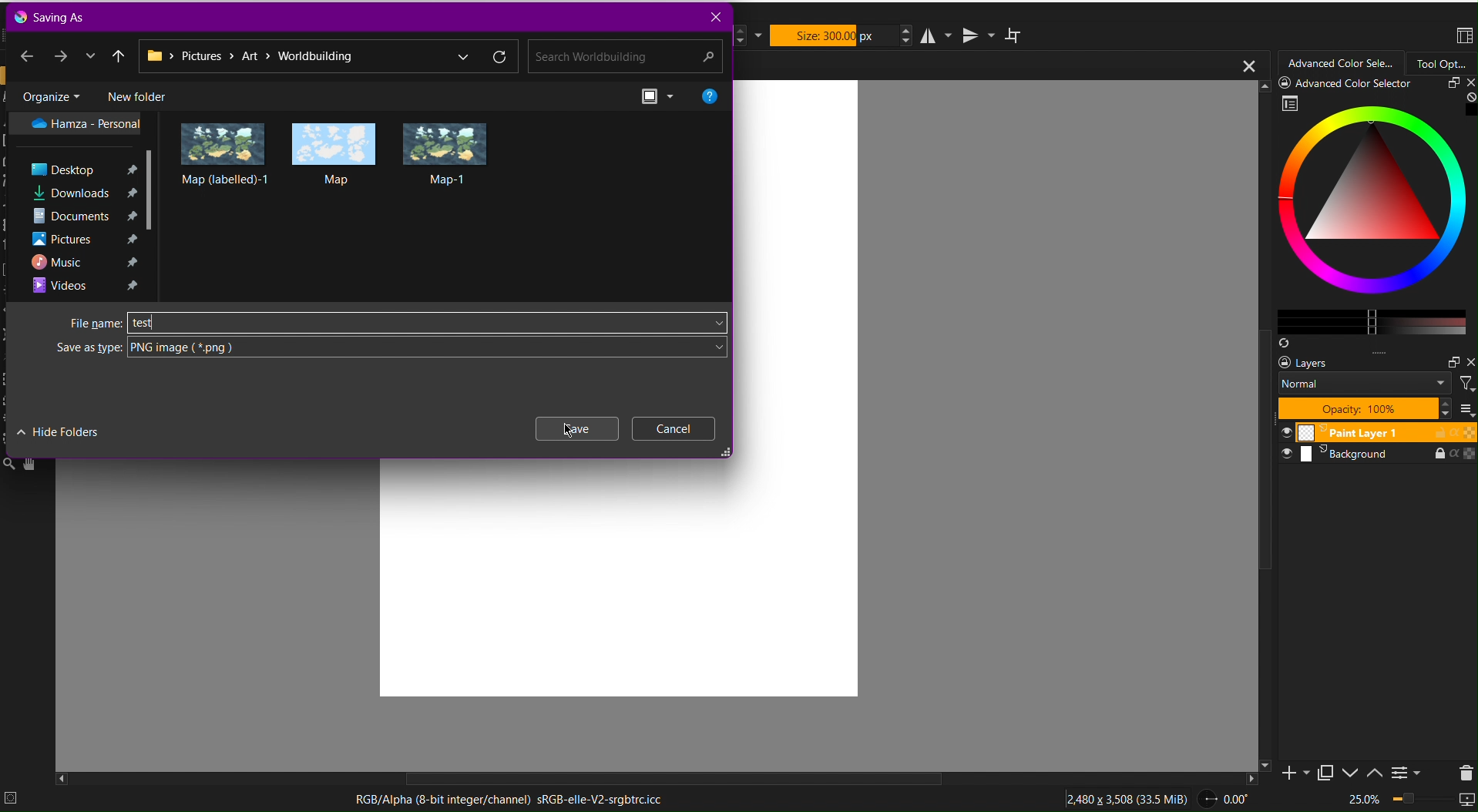 Image resolution: width=1478 pixels, height=812 pixels. I want to click on Cancel, so click(674, 428).